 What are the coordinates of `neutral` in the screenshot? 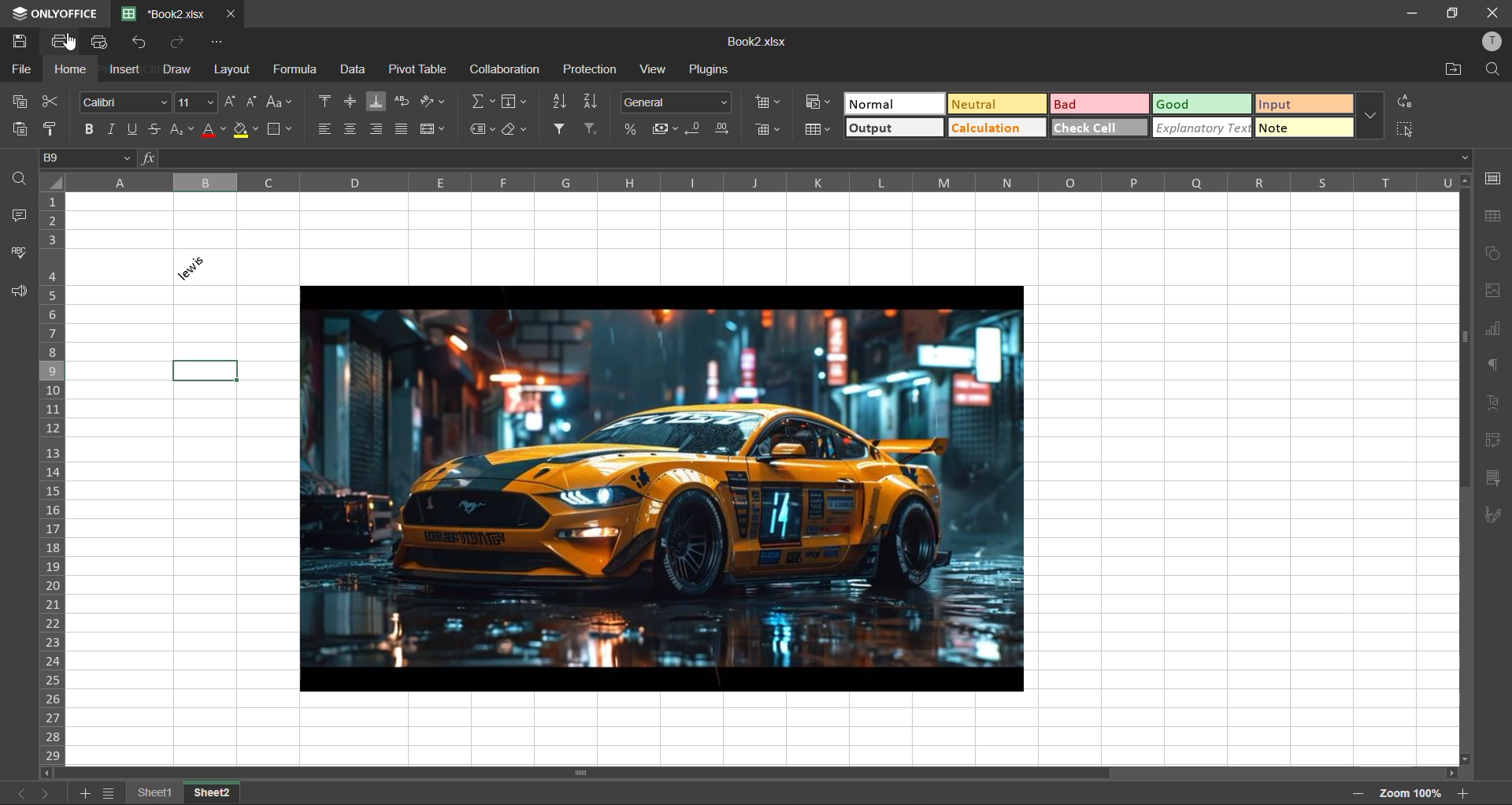 It's located at (997, 104).